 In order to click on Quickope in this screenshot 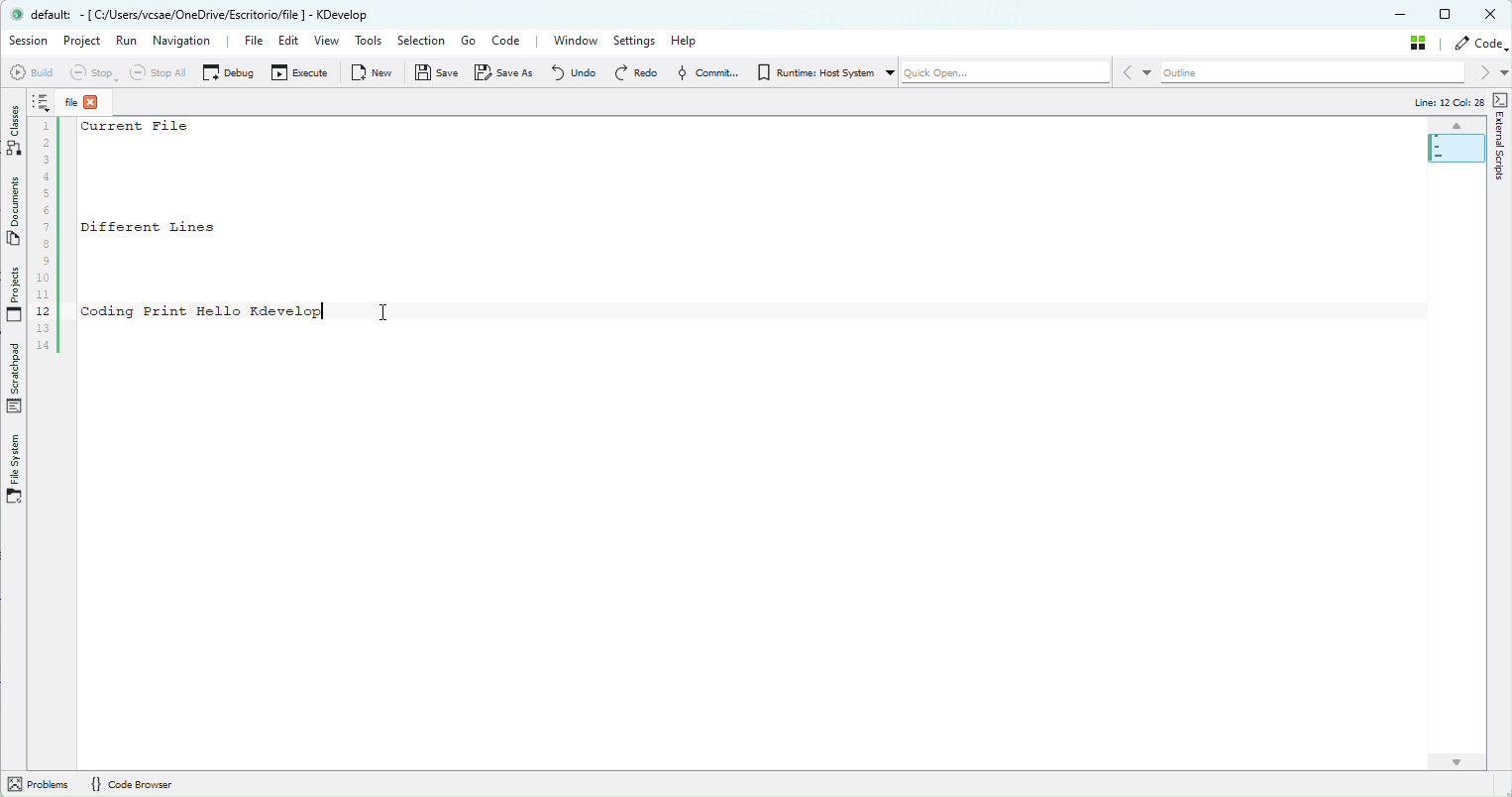, I will do `click(1004, 71)`.